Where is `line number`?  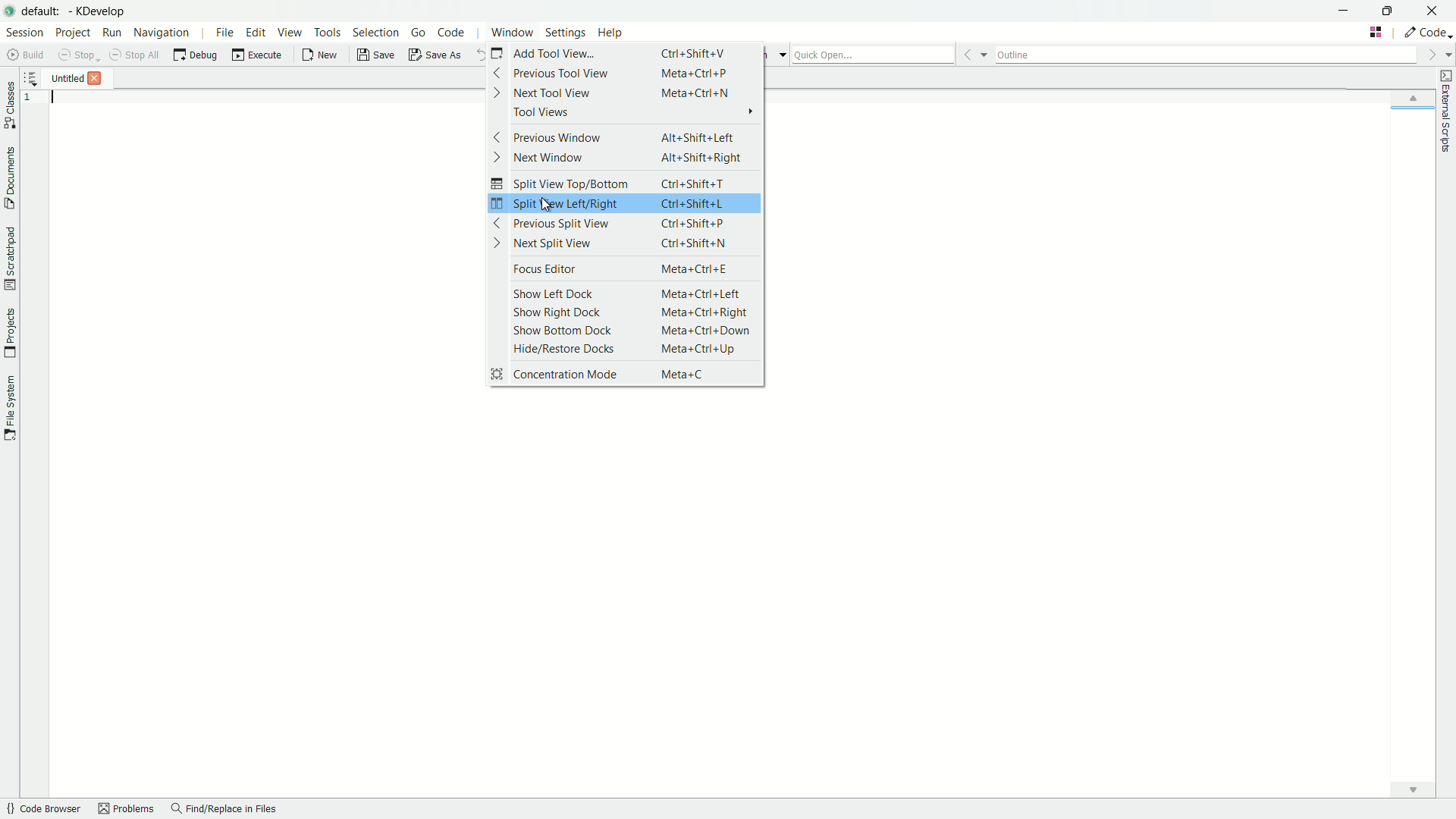 line number is located at coordinates (31, 99).